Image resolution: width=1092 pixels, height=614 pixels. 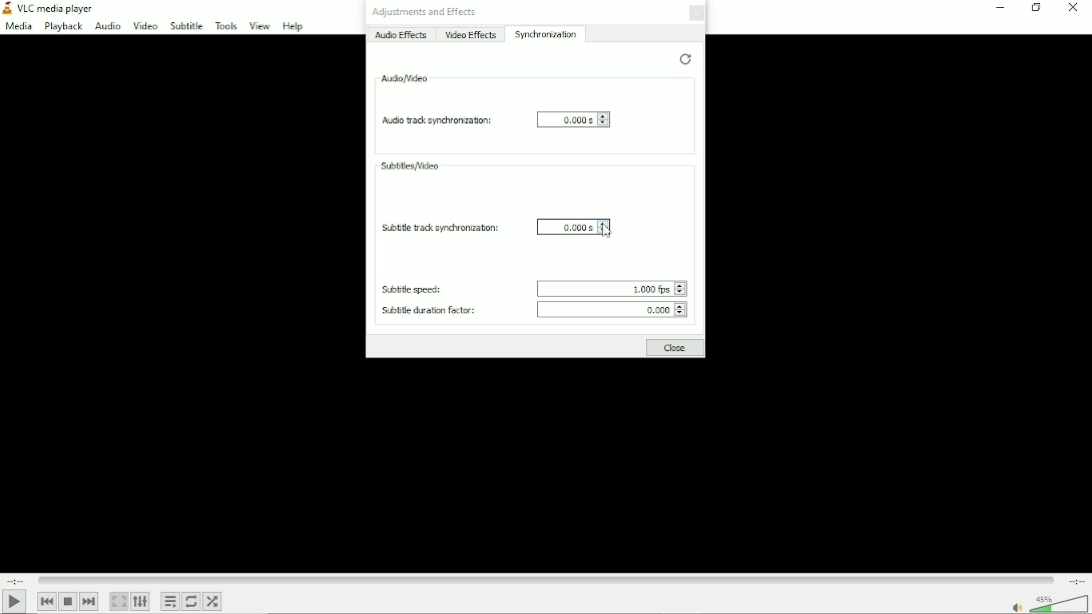 What do you see at coordinates (433, 120) in the screenshot?
I see `Audio track synchronization` at bounding box center [433, 120].